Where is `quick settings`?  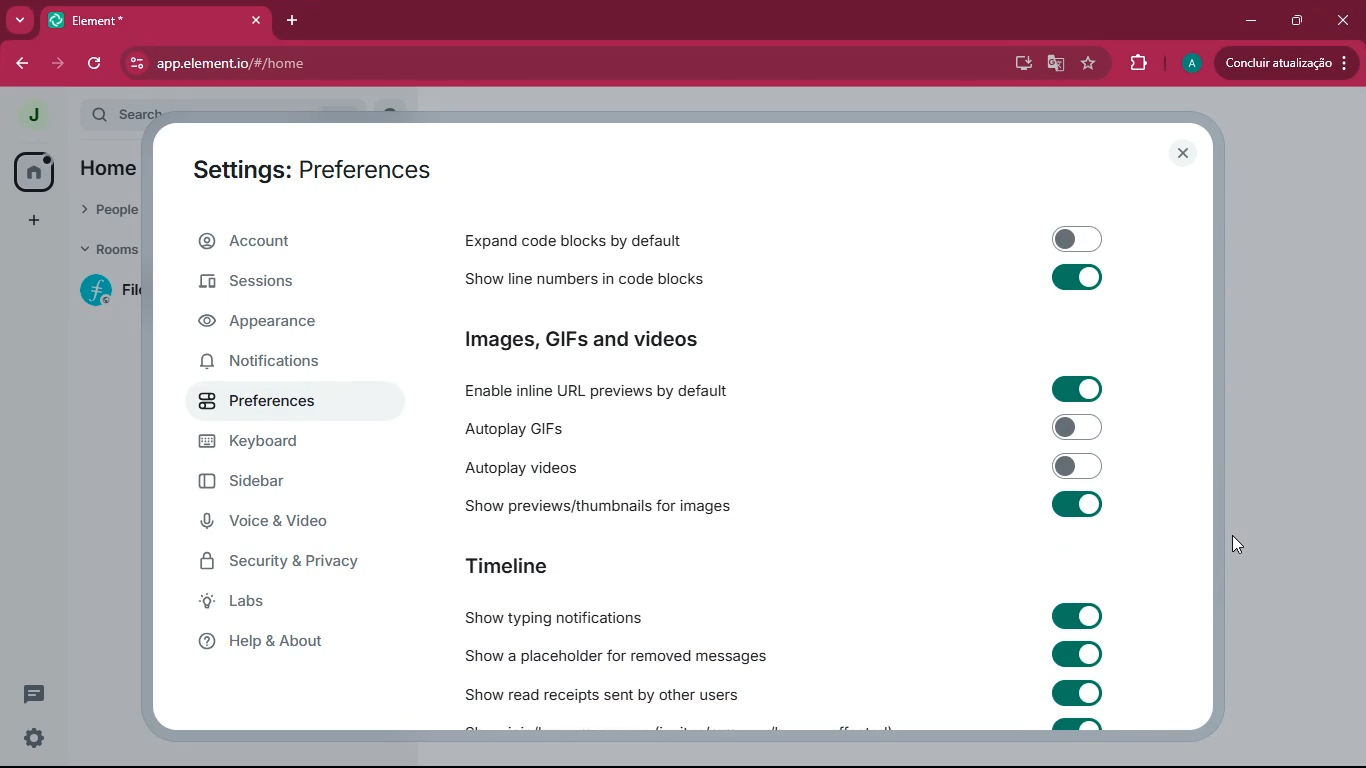
quick settings is located at coordinates (34, 738).